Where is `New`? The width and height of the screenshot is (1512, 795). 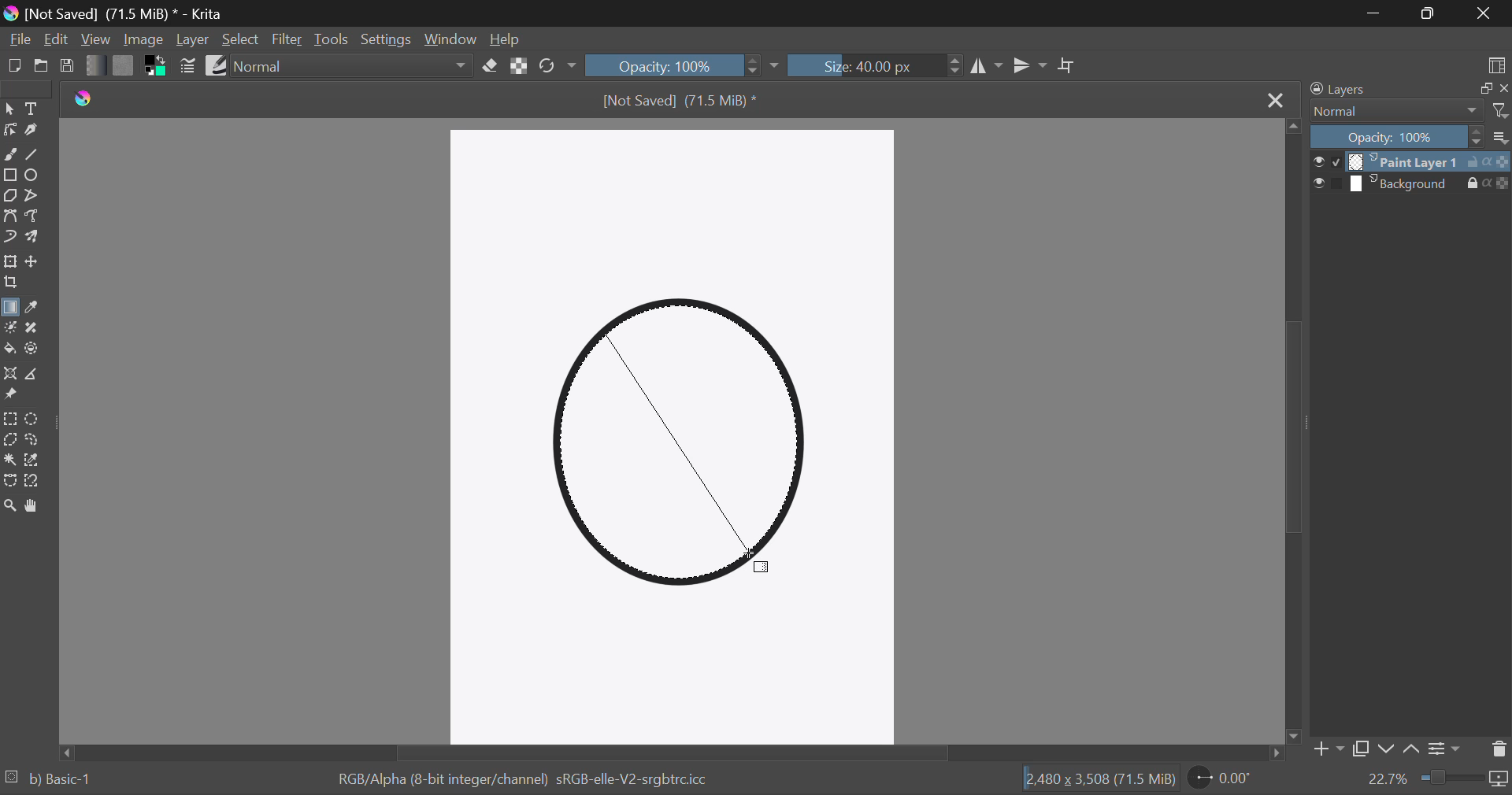 New is located at coordinates (13, 66).